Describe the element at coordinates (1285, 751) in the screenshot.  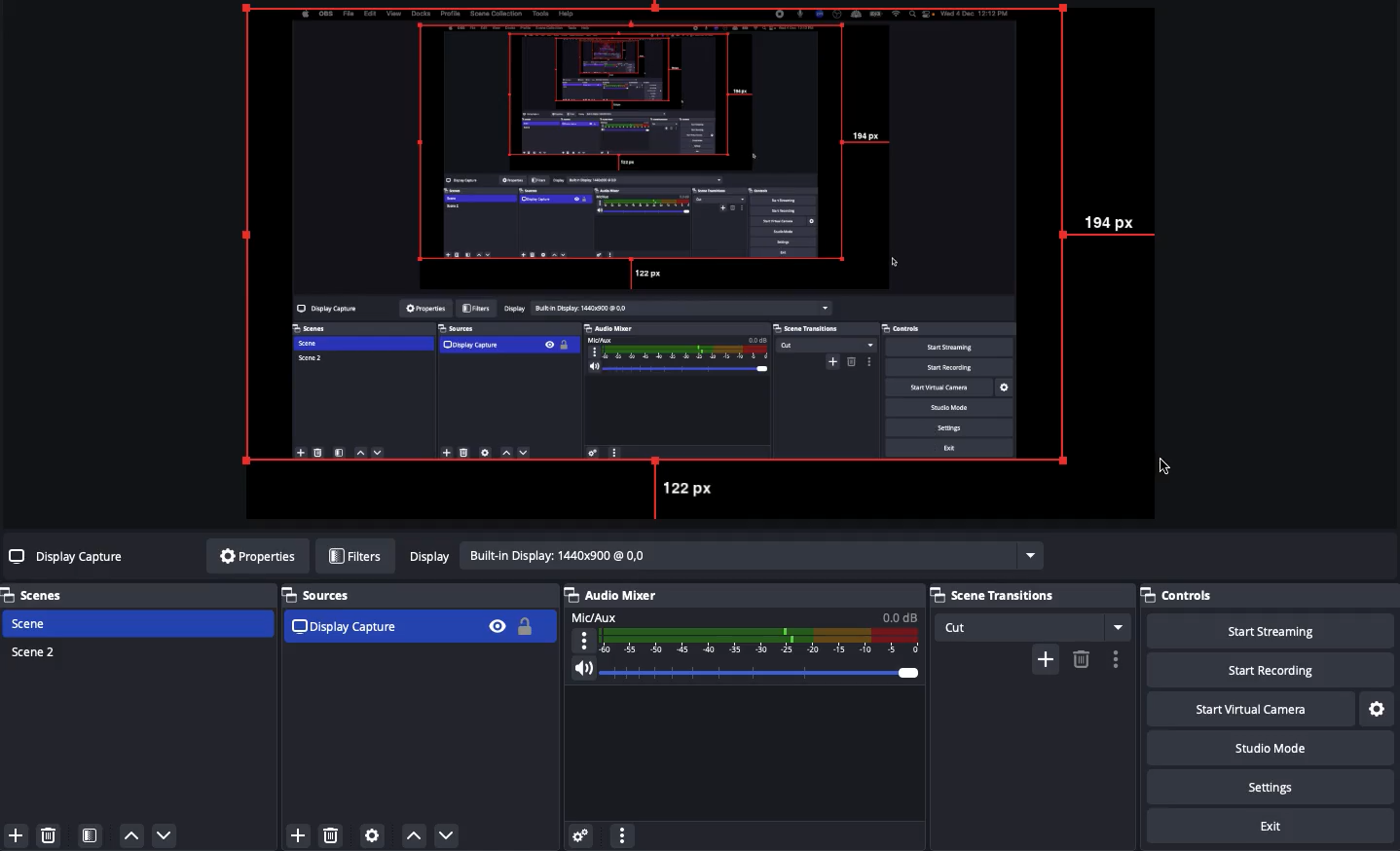
I see `Studio mode` at that location.